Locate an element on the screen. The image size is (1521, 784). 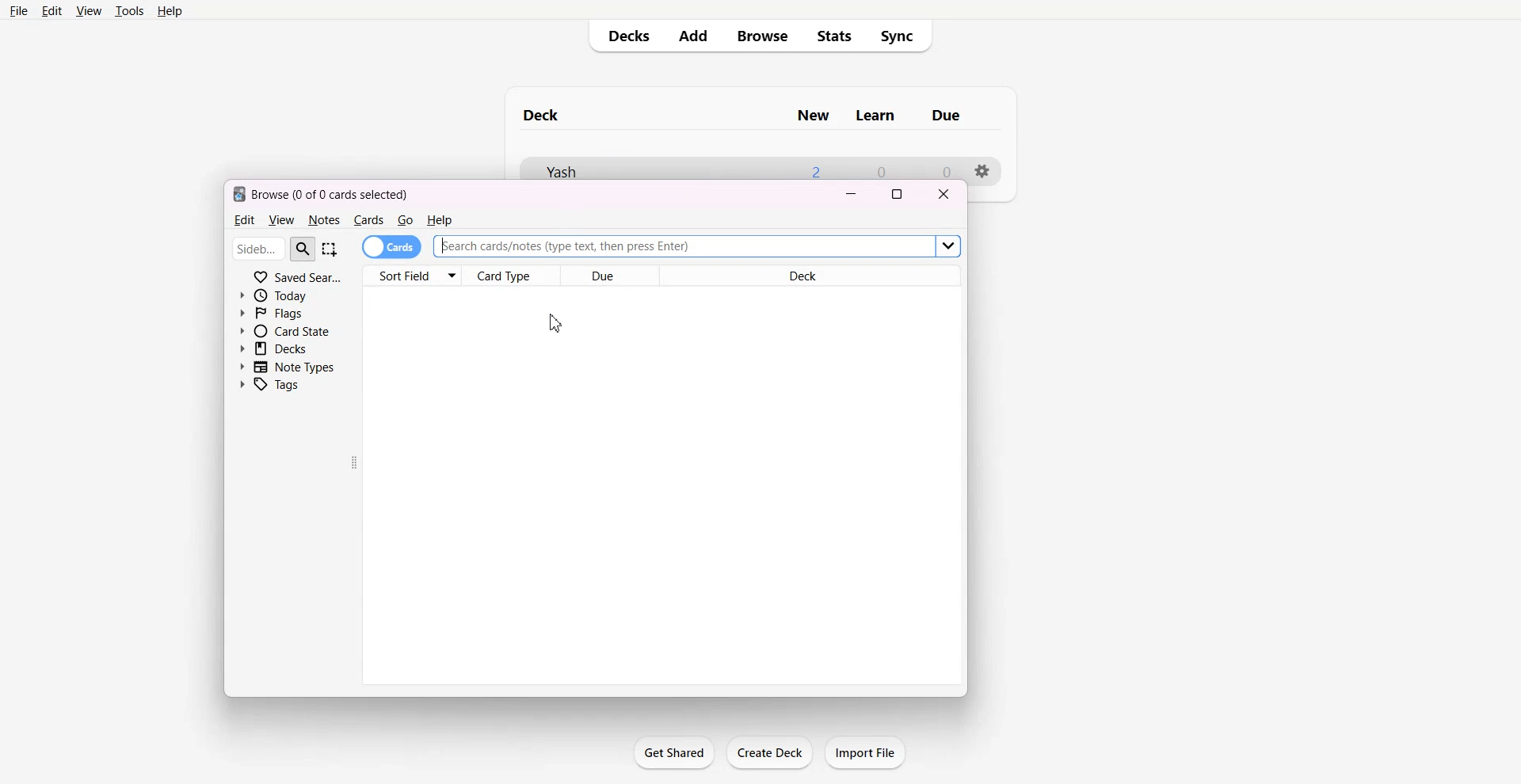
Browse is located at coordinates (764, 36).